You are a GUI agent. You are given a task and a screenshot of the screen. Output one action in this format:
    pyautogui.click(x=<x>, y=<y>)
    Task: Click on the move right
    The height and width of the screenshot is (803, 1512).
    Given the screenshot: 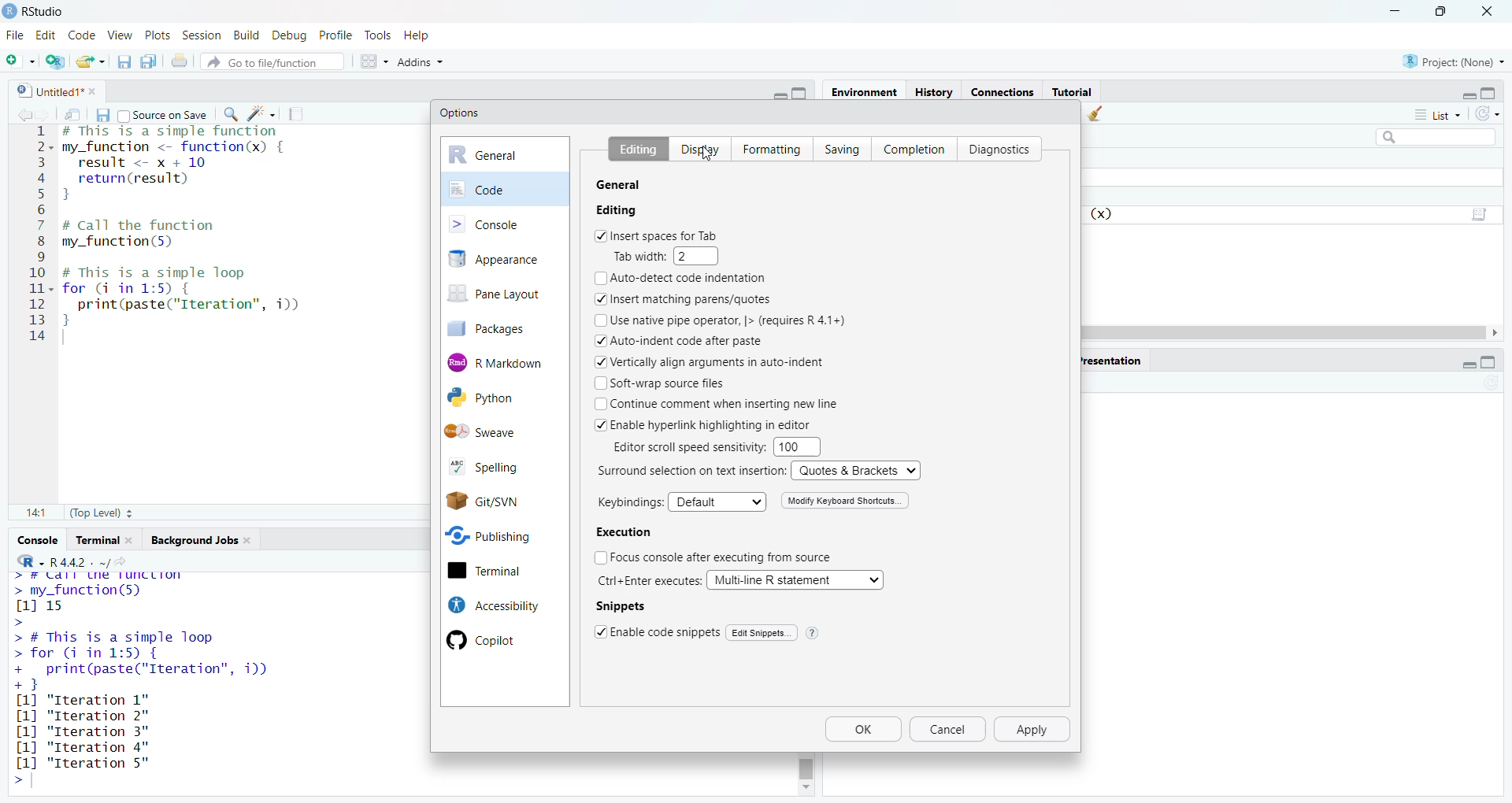 What is the action you would take?
    pyautogui.click(x=1501, y=333)
    